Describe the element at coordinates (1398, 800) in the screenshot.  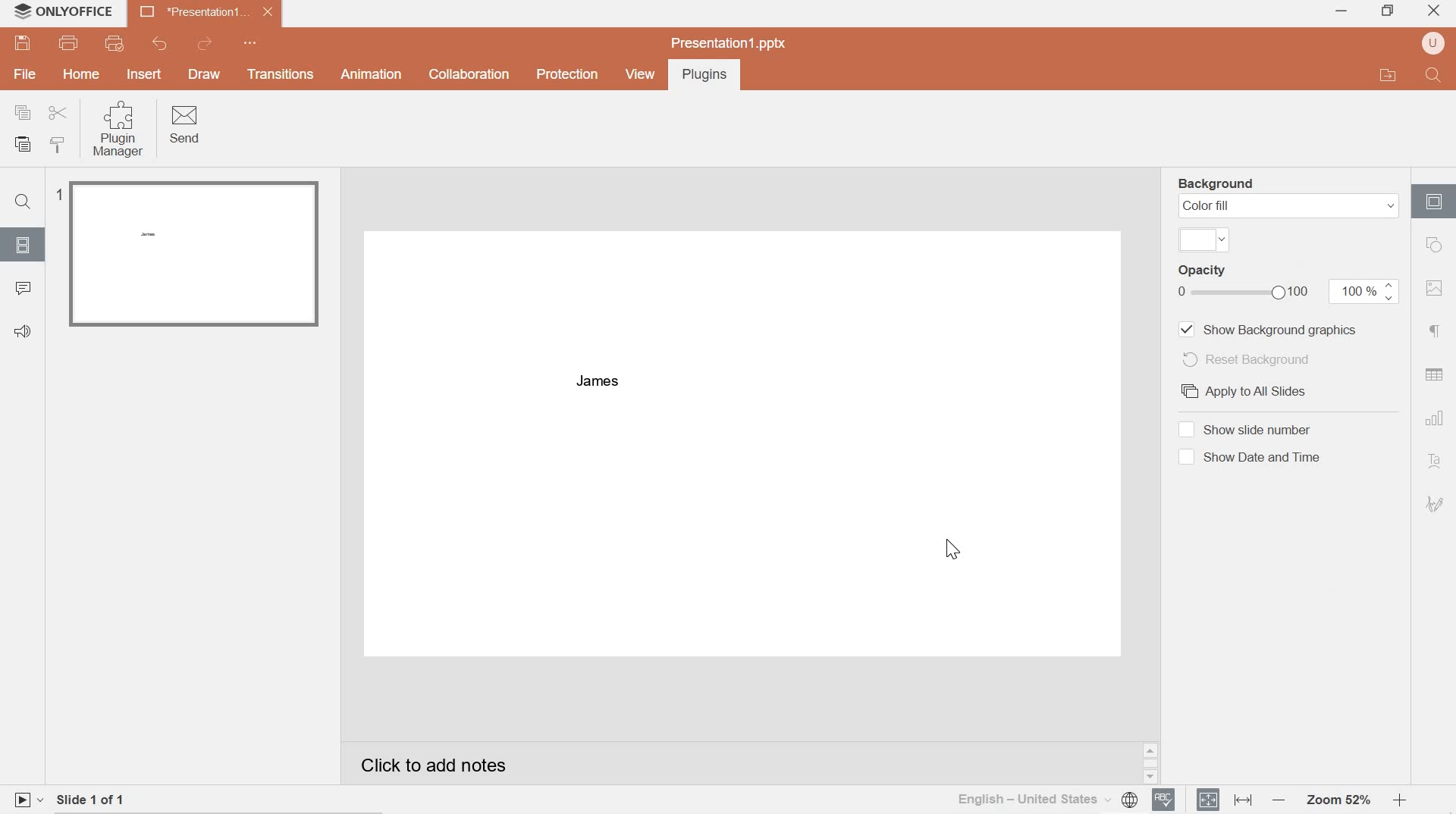
I see `zoom in` at that location.